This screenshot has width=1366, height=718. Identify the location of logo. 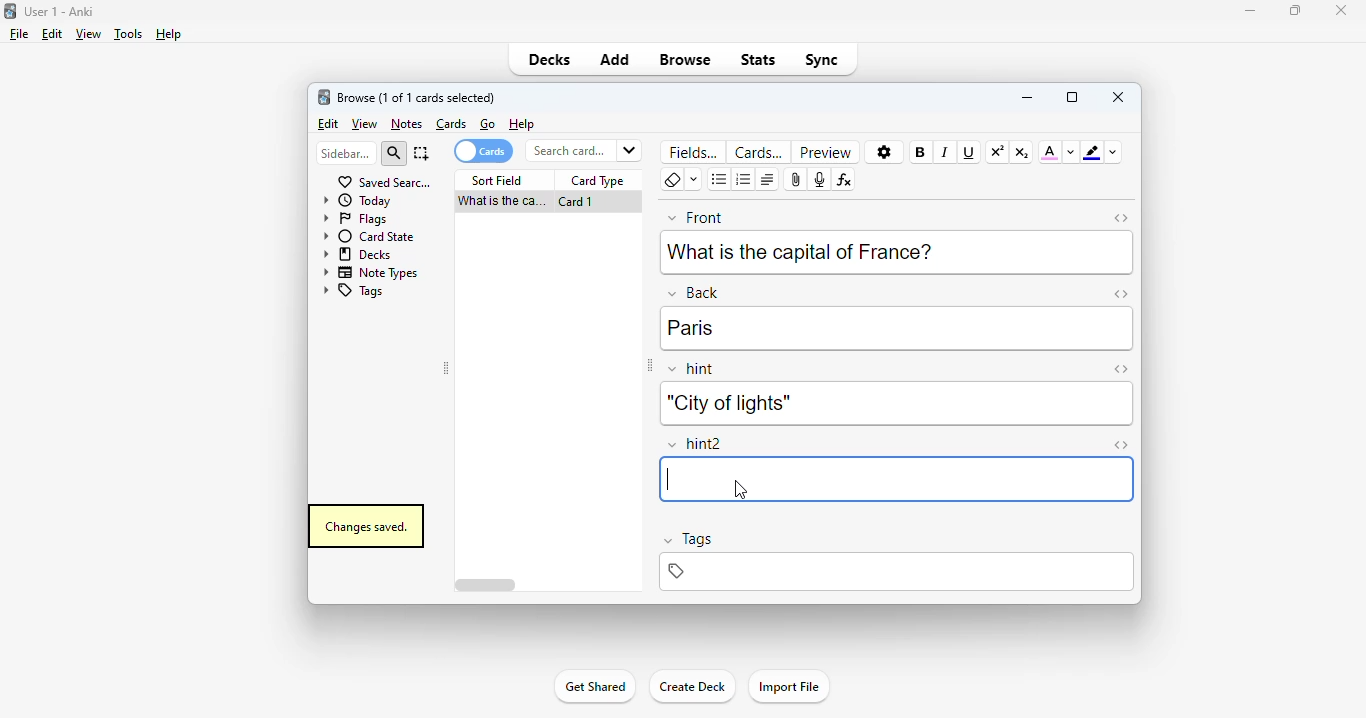
(323, 96).